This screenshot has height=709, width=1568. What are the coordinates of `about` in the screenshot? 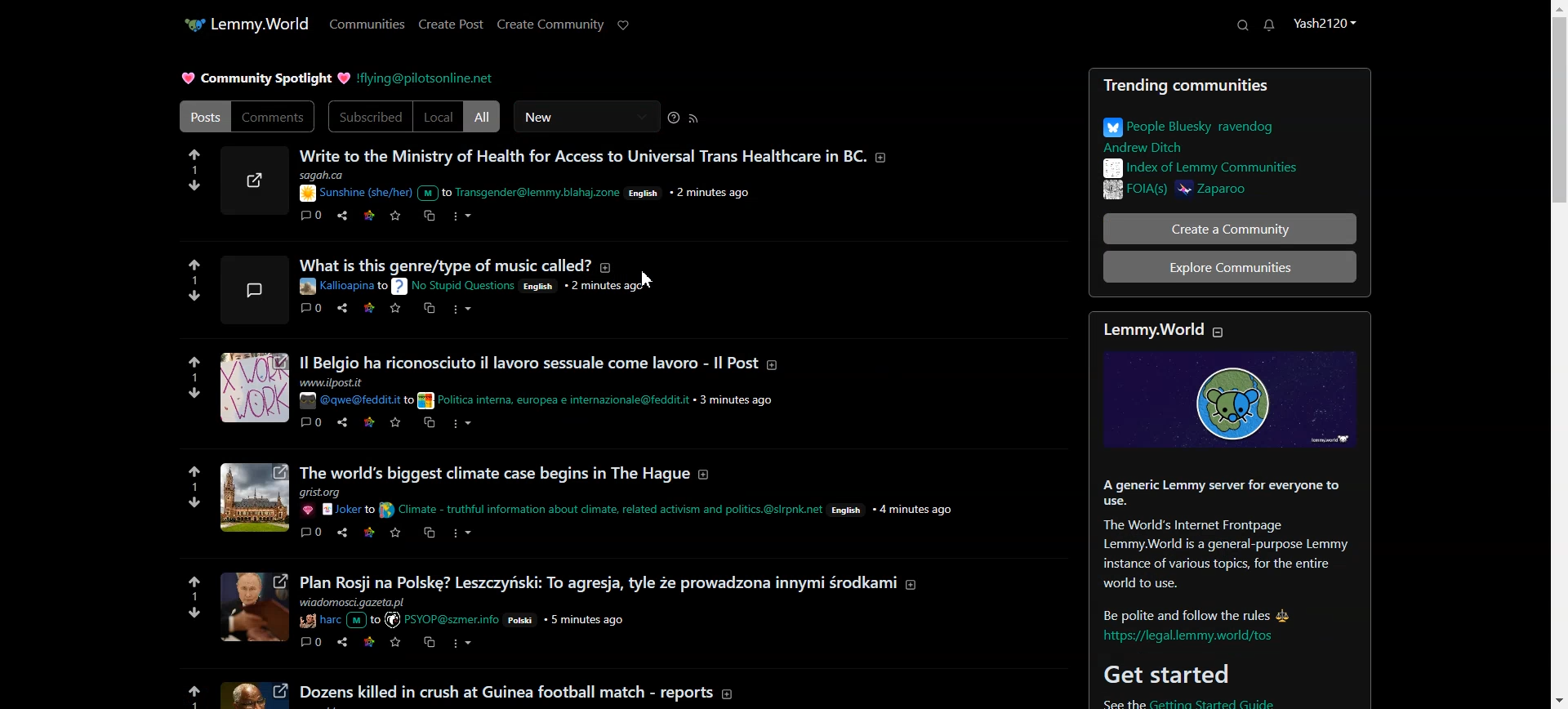 It's located at (734, 691).